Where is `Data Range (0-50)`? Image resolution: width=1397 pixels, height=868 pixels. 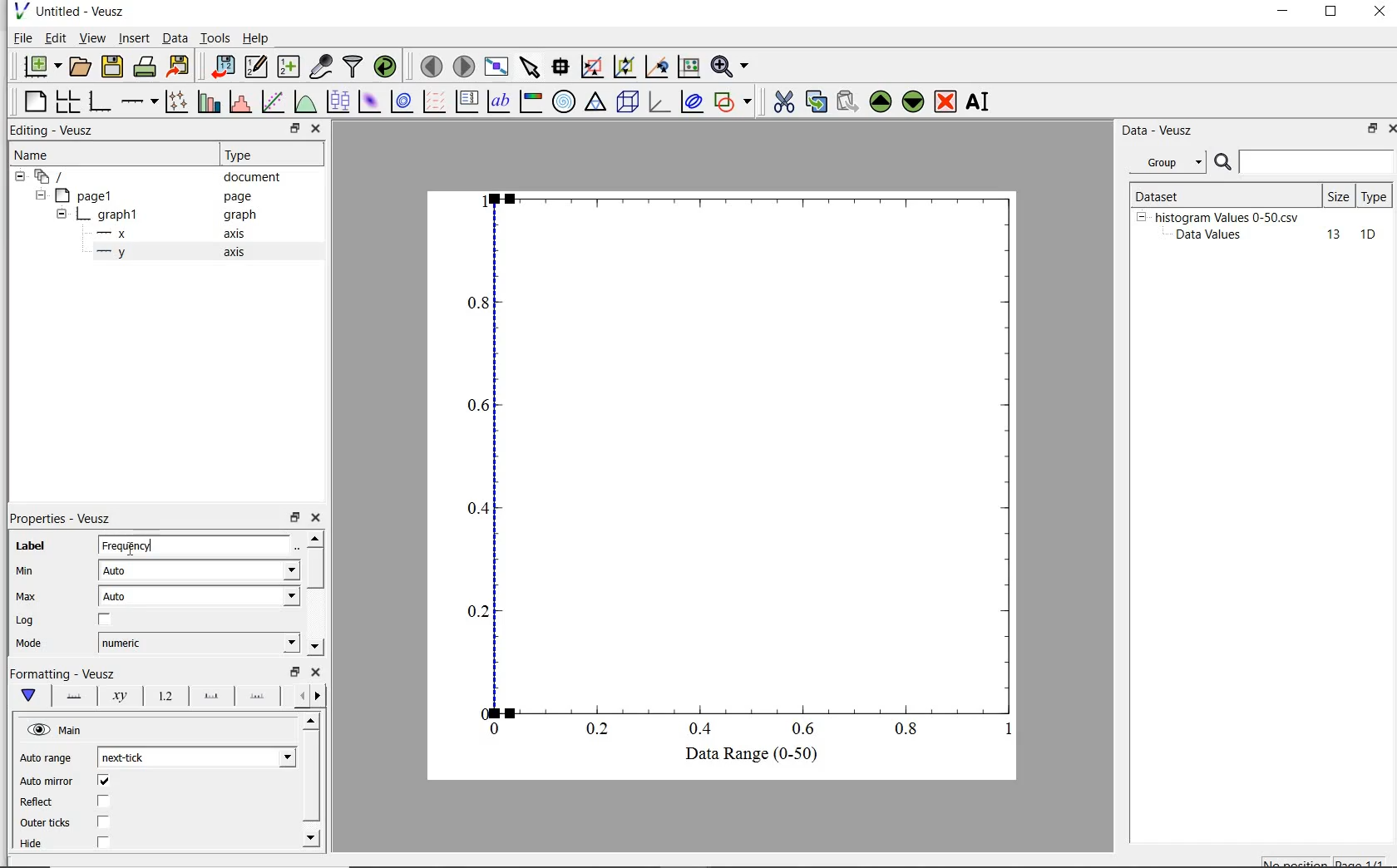 Data Range (0-50) is located at coordinates (743, 755).